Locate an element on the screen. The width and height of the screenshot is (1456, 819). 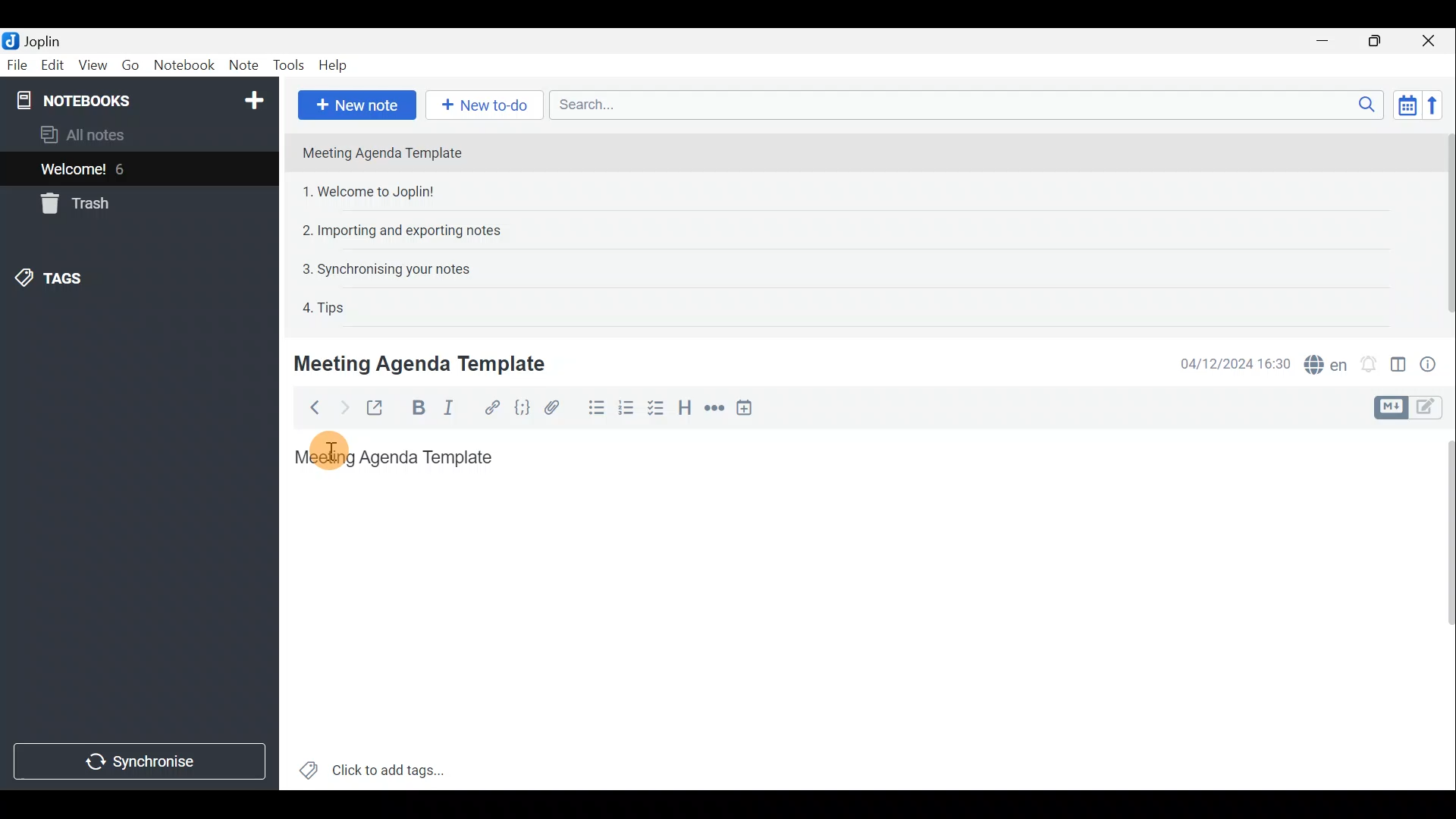
Forward is located at coordinates (342, 407).